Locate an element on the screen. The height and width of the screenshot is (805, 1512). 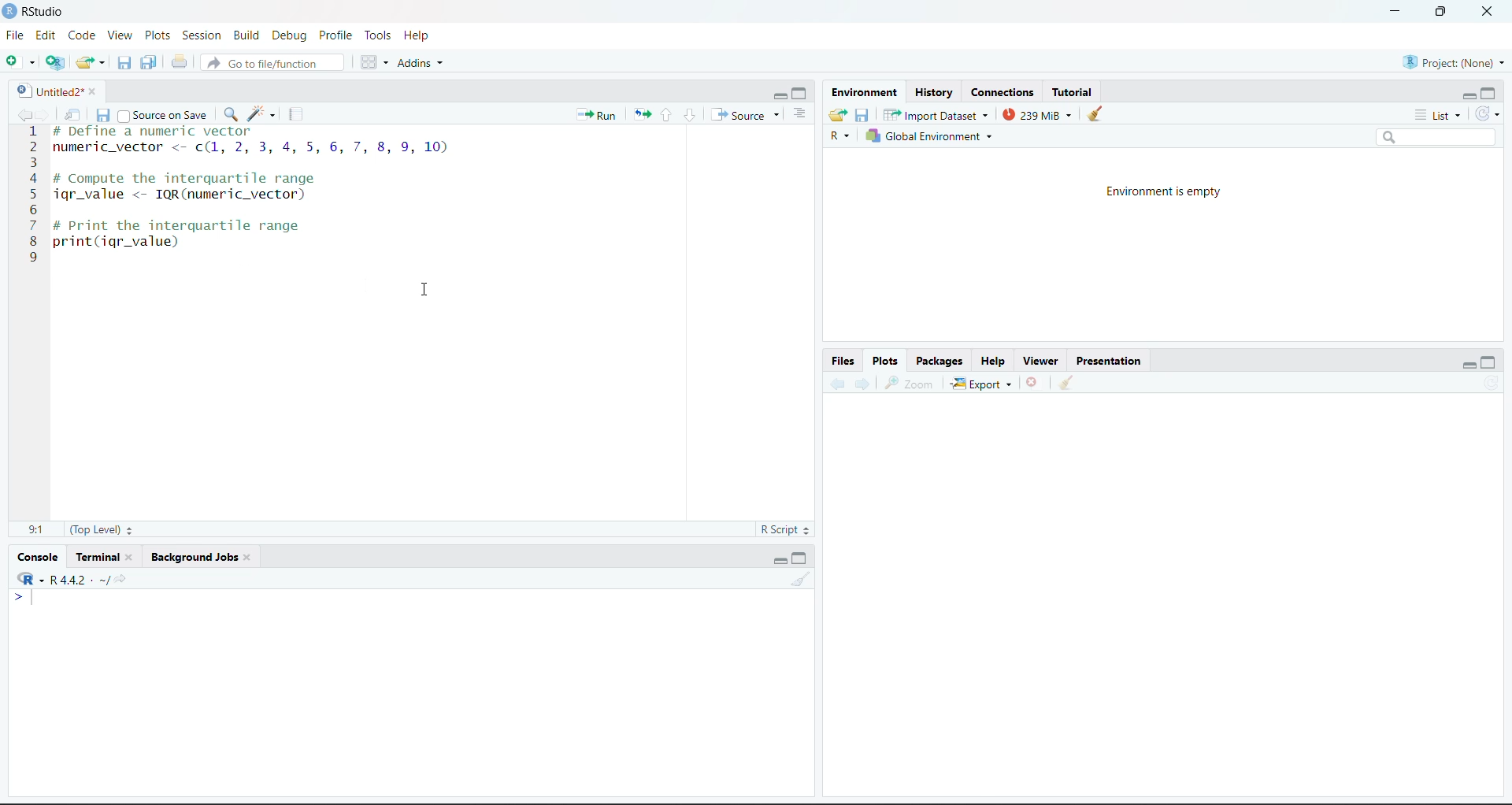
Go to file/function is located at coordinates (272, 61).